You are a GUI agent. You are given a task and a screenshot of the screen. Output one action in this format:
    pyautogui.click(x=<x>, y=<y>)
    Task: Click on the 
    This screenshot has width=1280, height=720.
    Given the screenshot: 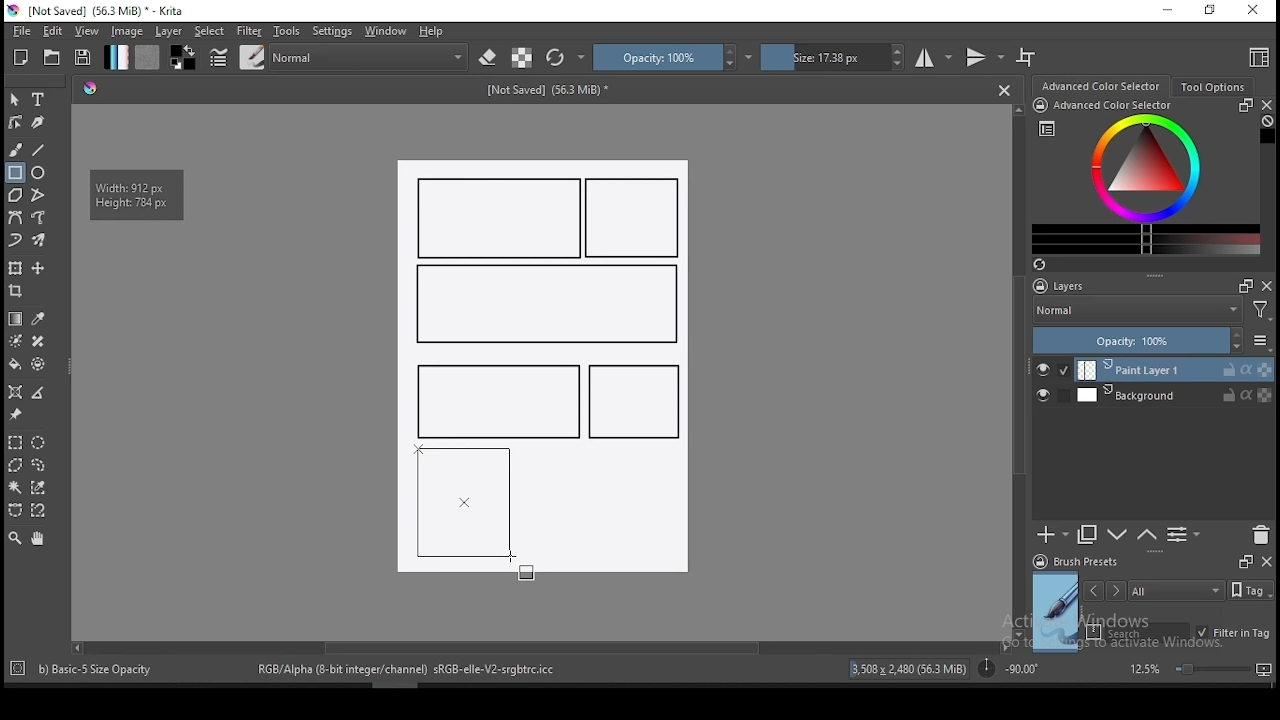 What is the action you would take?
    pyautogui.click(x=985, y=55)
    